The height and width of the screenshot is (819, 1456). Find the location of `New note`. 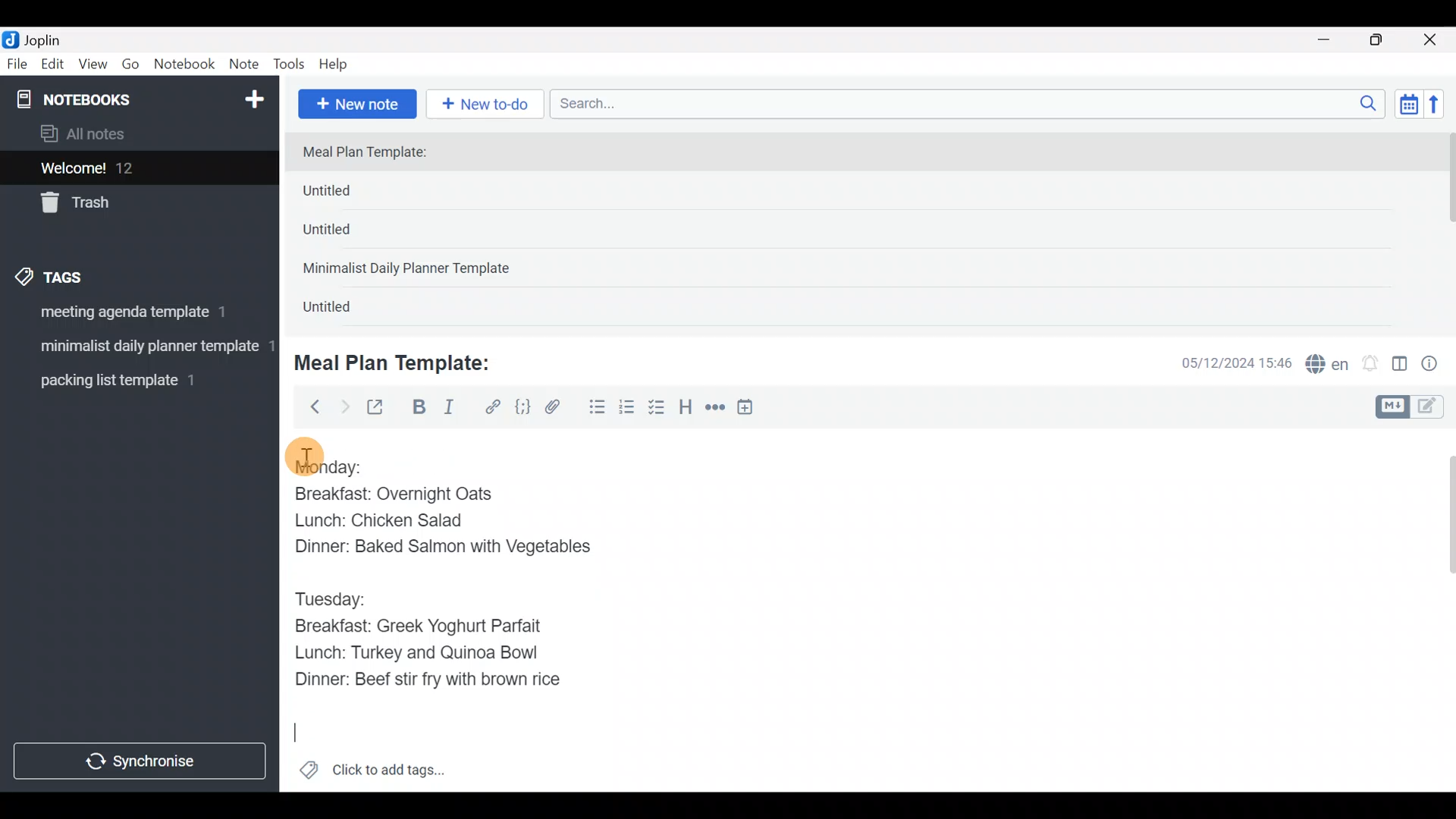

New note is located at coordinates (356, 102).